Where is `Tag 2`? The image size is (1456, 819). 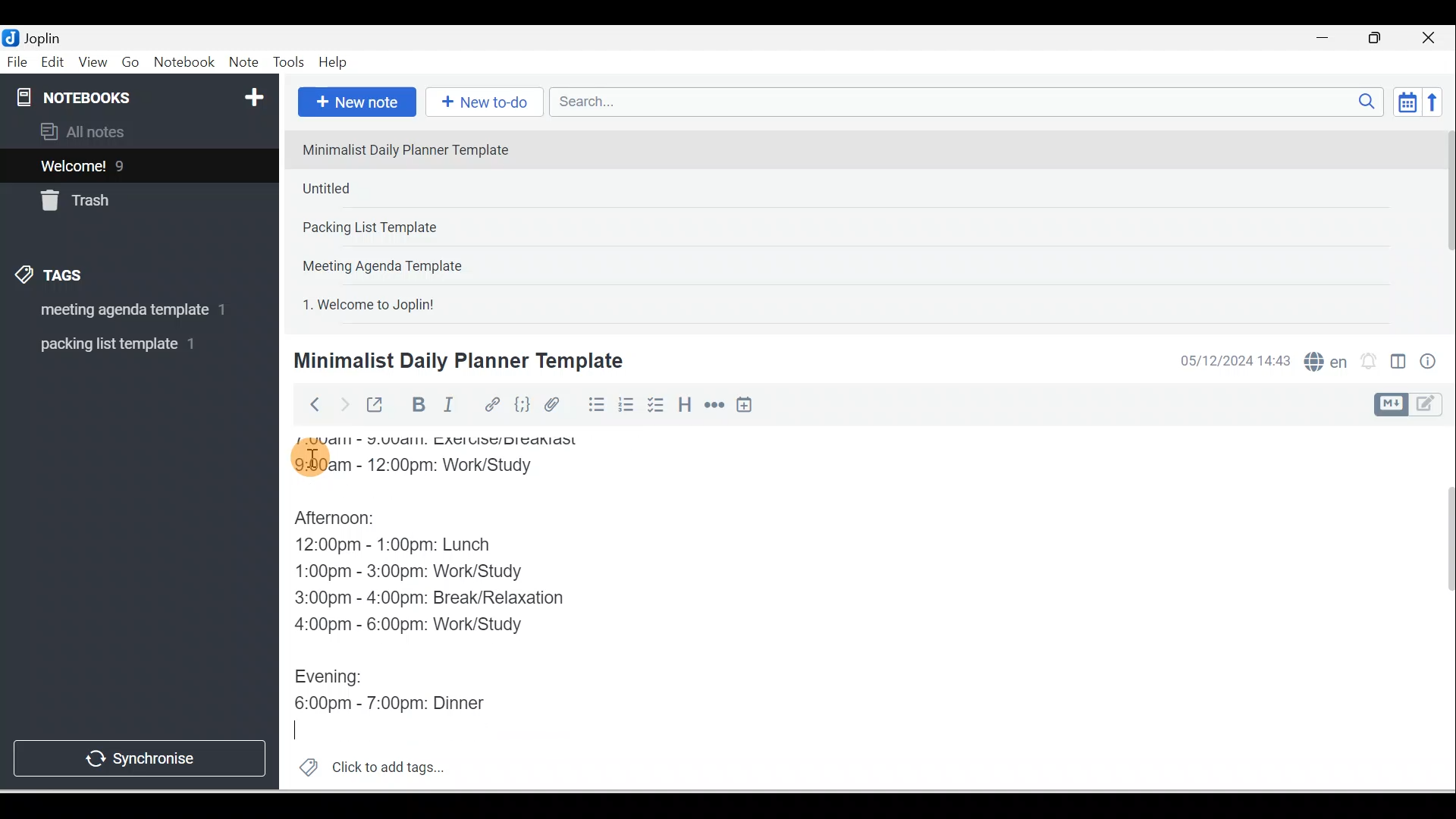
Tag 2 is located at coordinates (128, 344).